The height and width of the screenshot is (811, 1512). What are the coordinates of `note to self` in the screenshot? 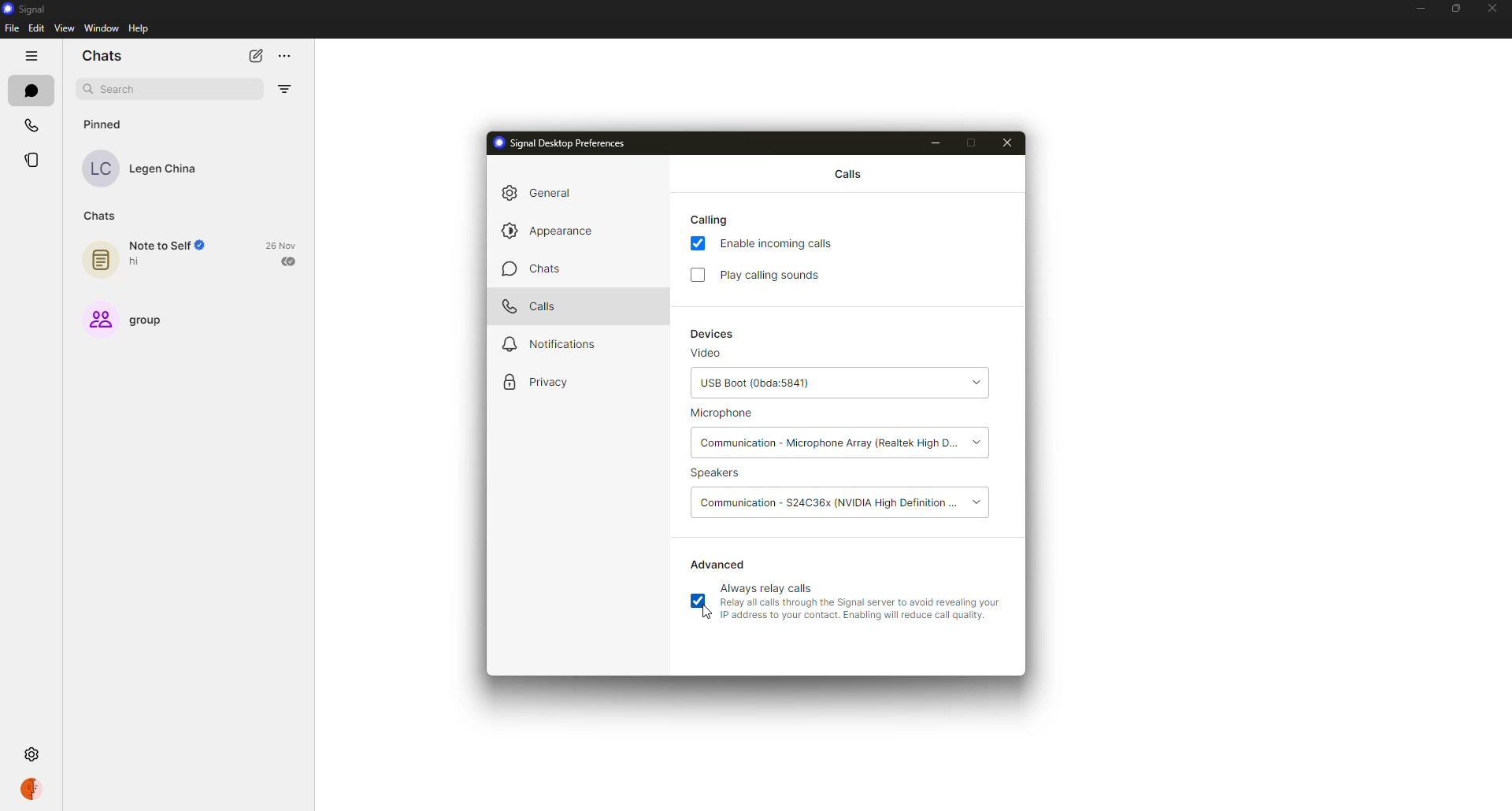 It's located at (167, 246).